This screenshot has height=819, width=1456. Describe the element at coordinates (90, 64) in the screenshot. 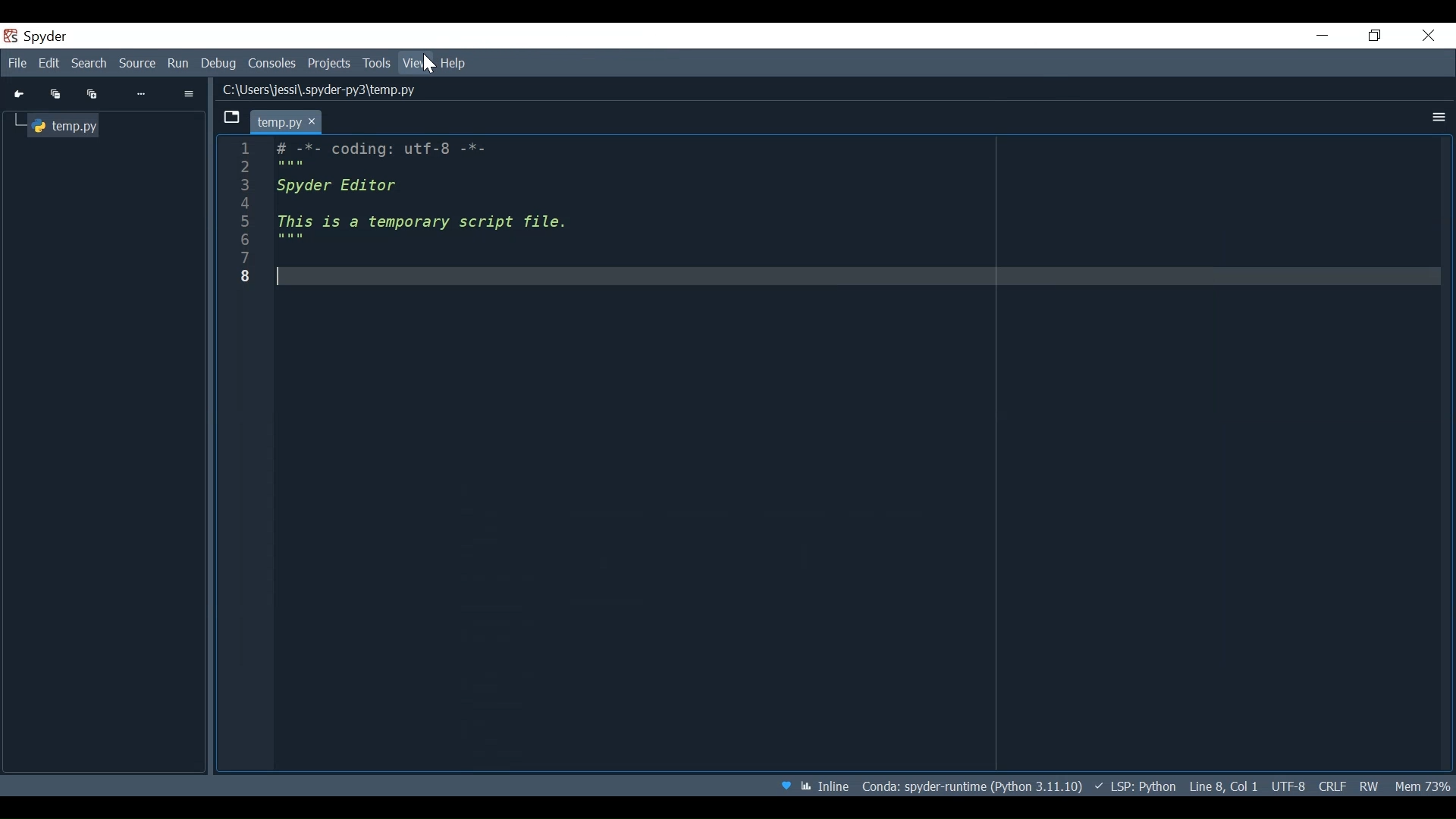

I see `Search` at that location.